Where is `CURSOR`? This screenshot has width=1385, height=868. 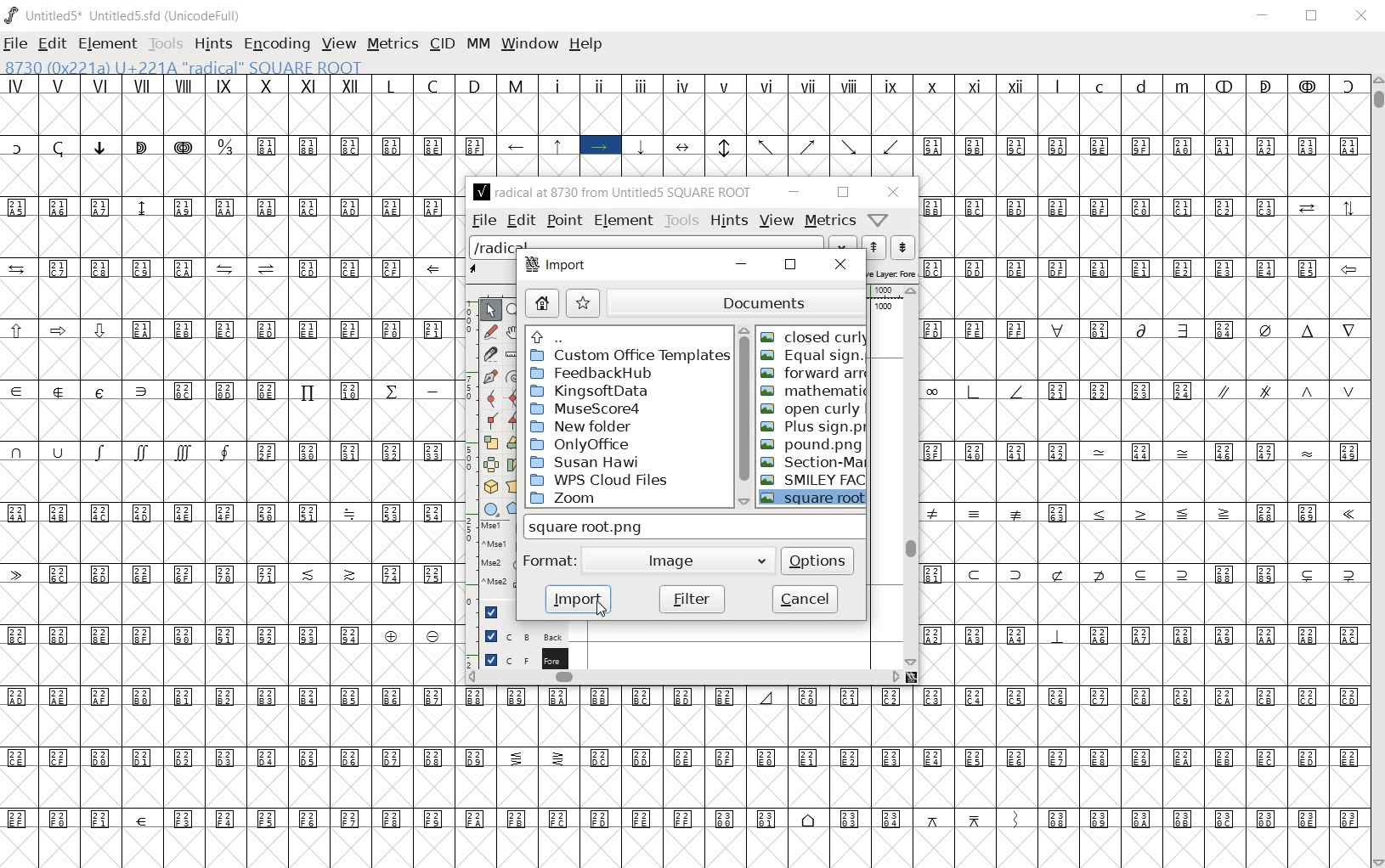
CURSOR is located at coordinates (601, 610).